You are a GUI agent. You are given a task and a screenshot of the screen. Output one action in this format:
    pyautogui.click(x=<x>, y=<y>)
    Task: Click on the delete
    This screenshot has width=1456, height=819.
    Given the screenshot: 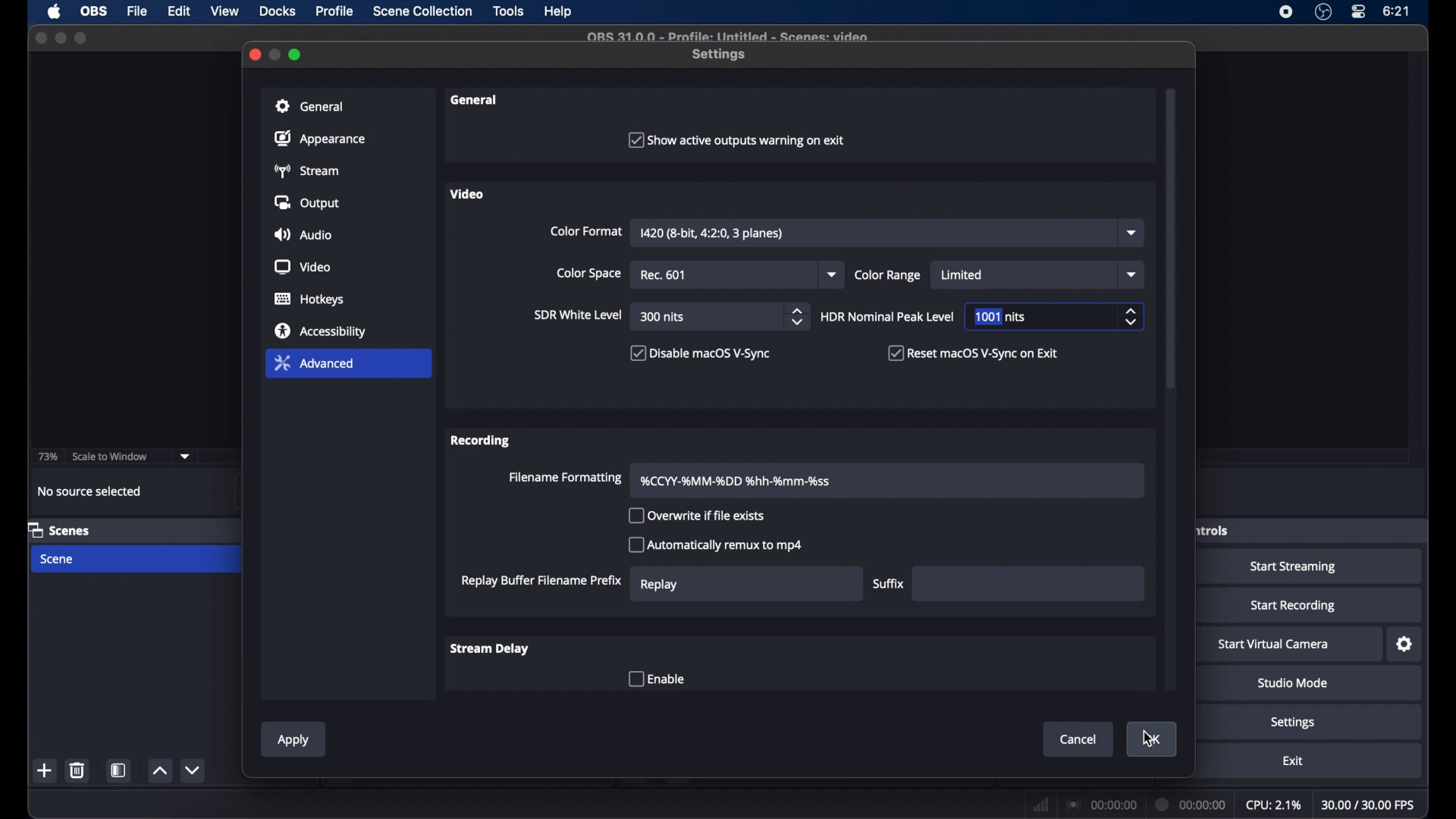 What is the action you would take?
    pyautogui.click(x=77, y=770)
    